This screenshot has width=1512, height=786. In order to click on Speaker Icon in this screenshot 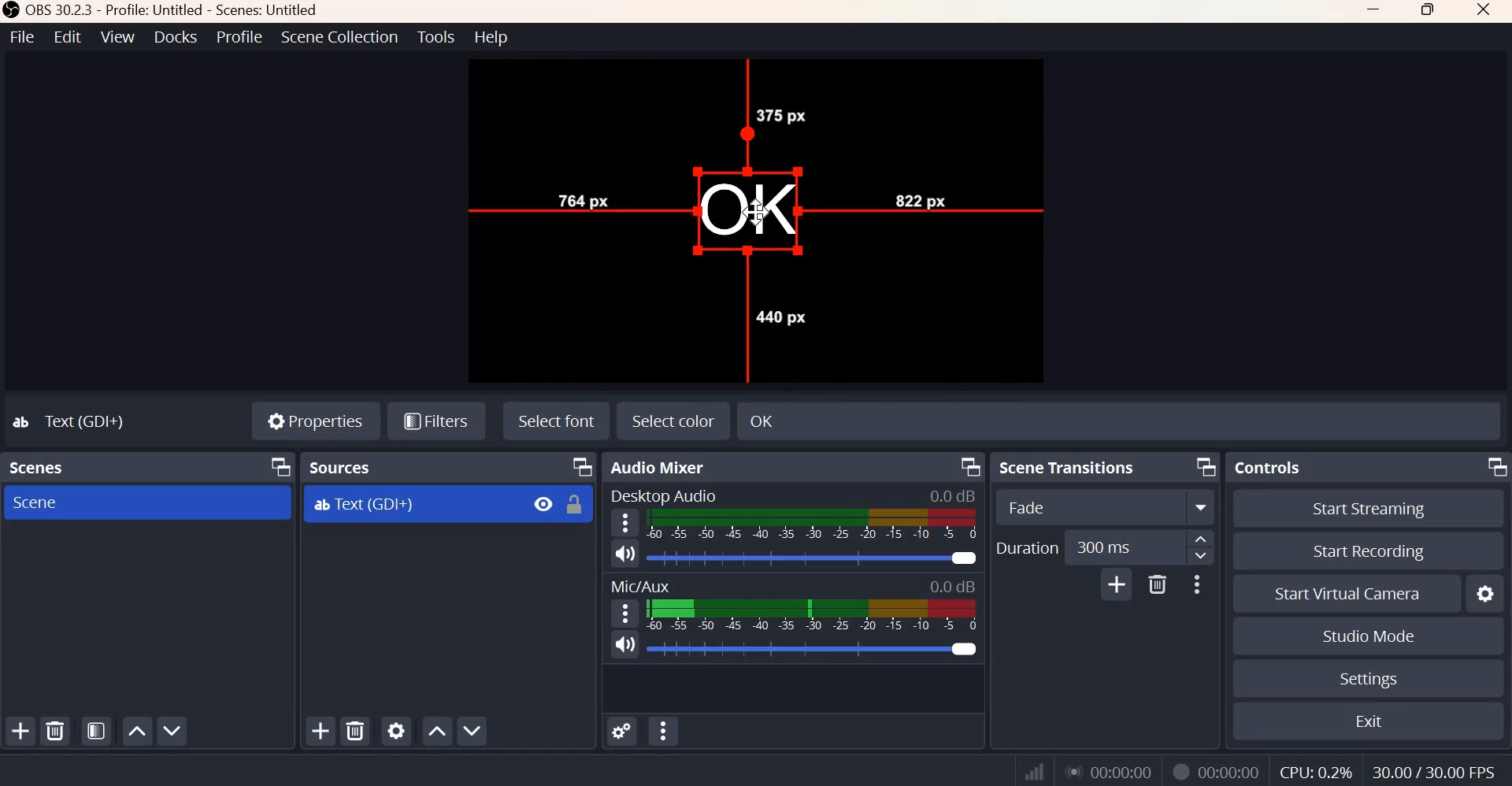, I will do `click(625, 553)`.